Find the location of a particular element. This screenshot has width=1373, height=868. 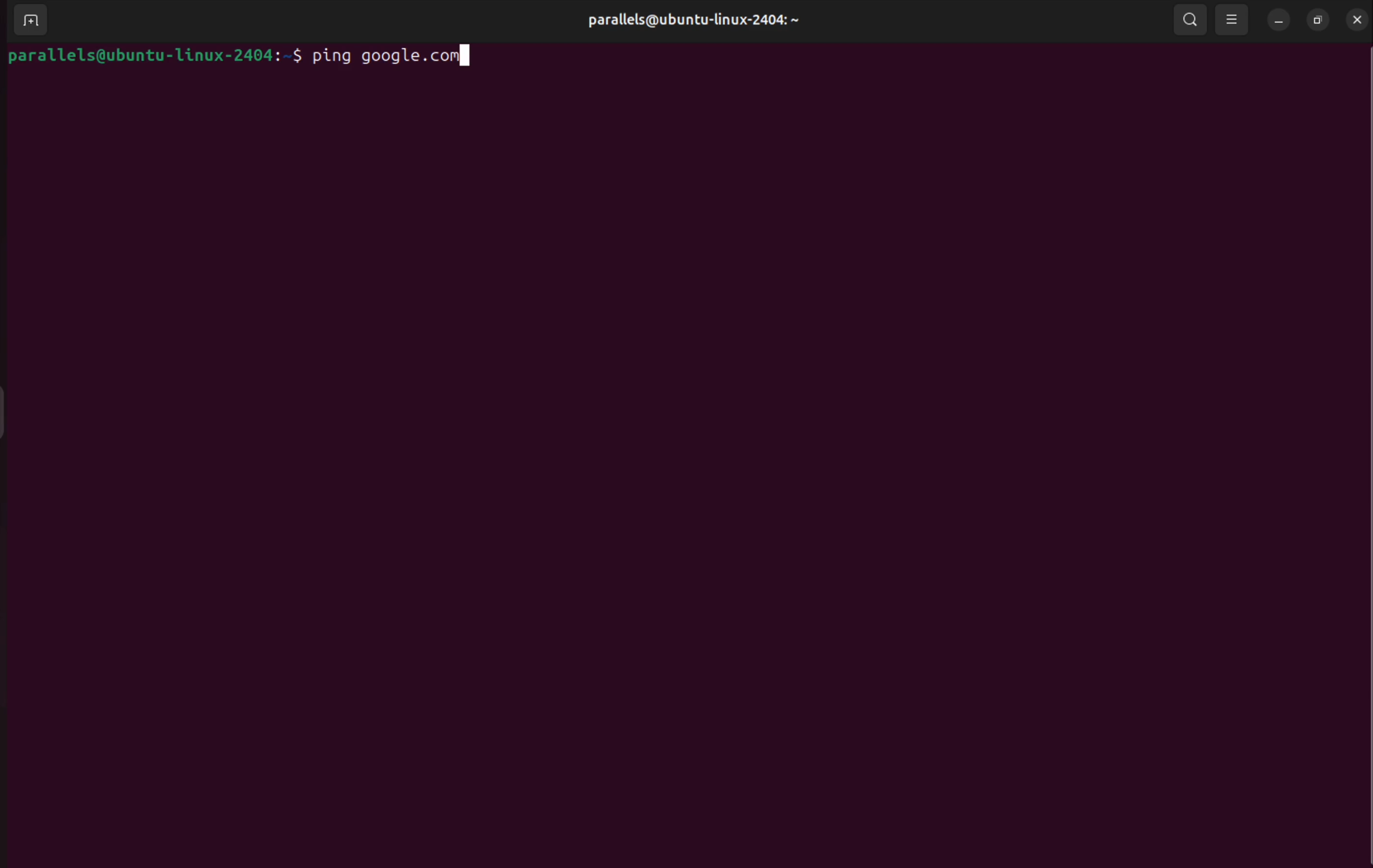

add terminal is located at coordinates (28, 21).